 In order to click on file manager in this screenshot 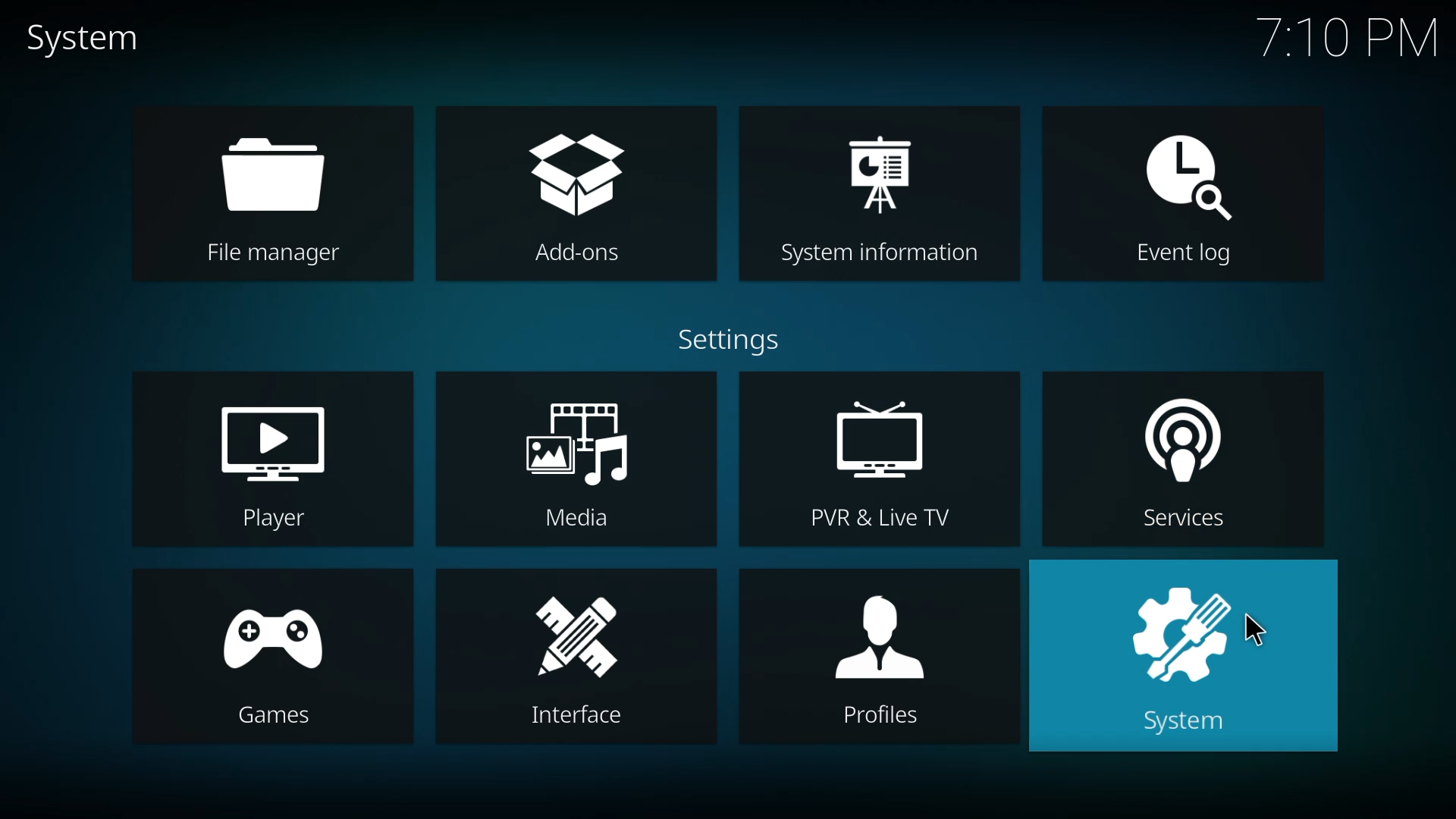, I will do `click(278, 196)`.